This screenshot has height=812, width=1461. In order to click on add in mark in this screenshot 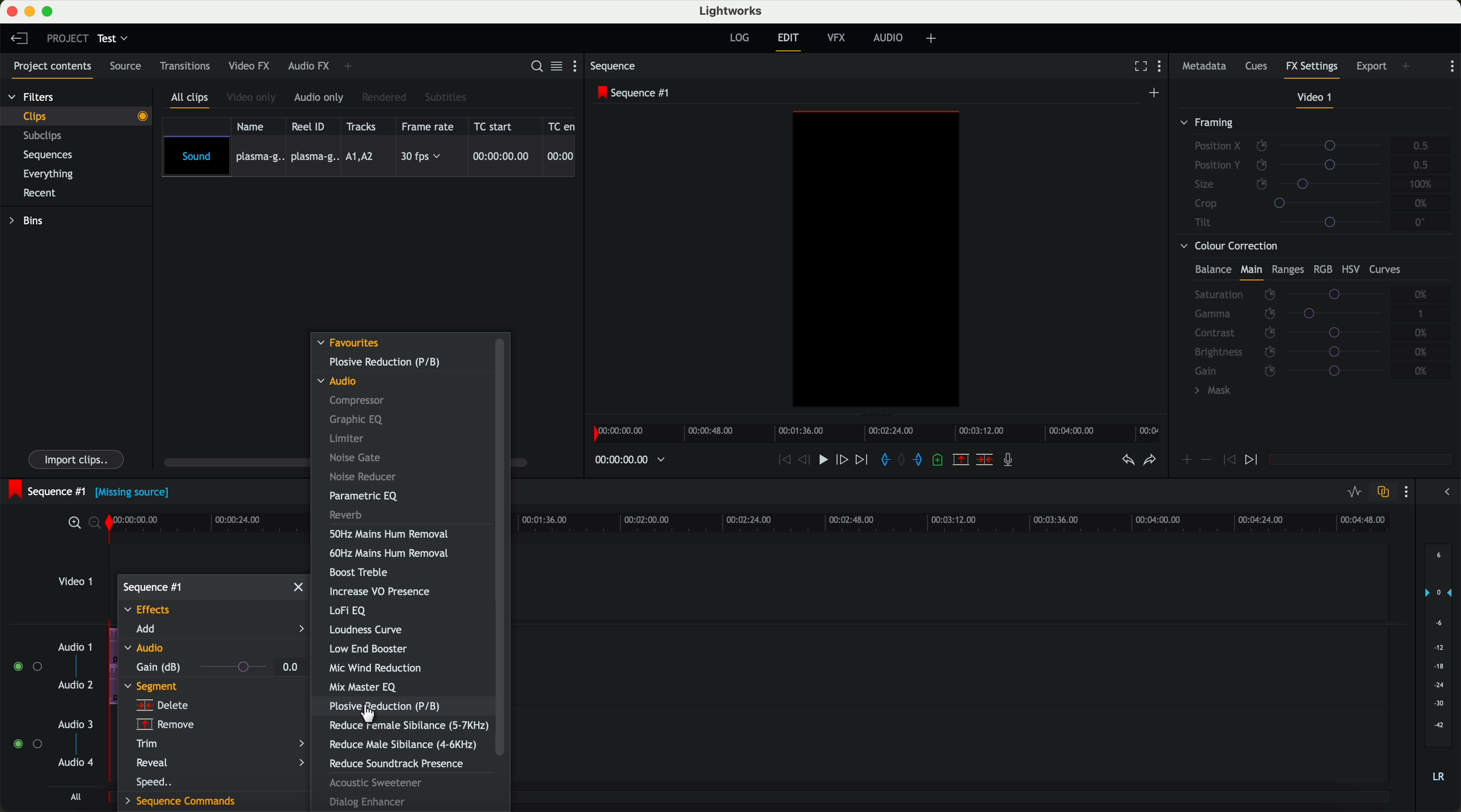, I will do `click(886, 460)`.